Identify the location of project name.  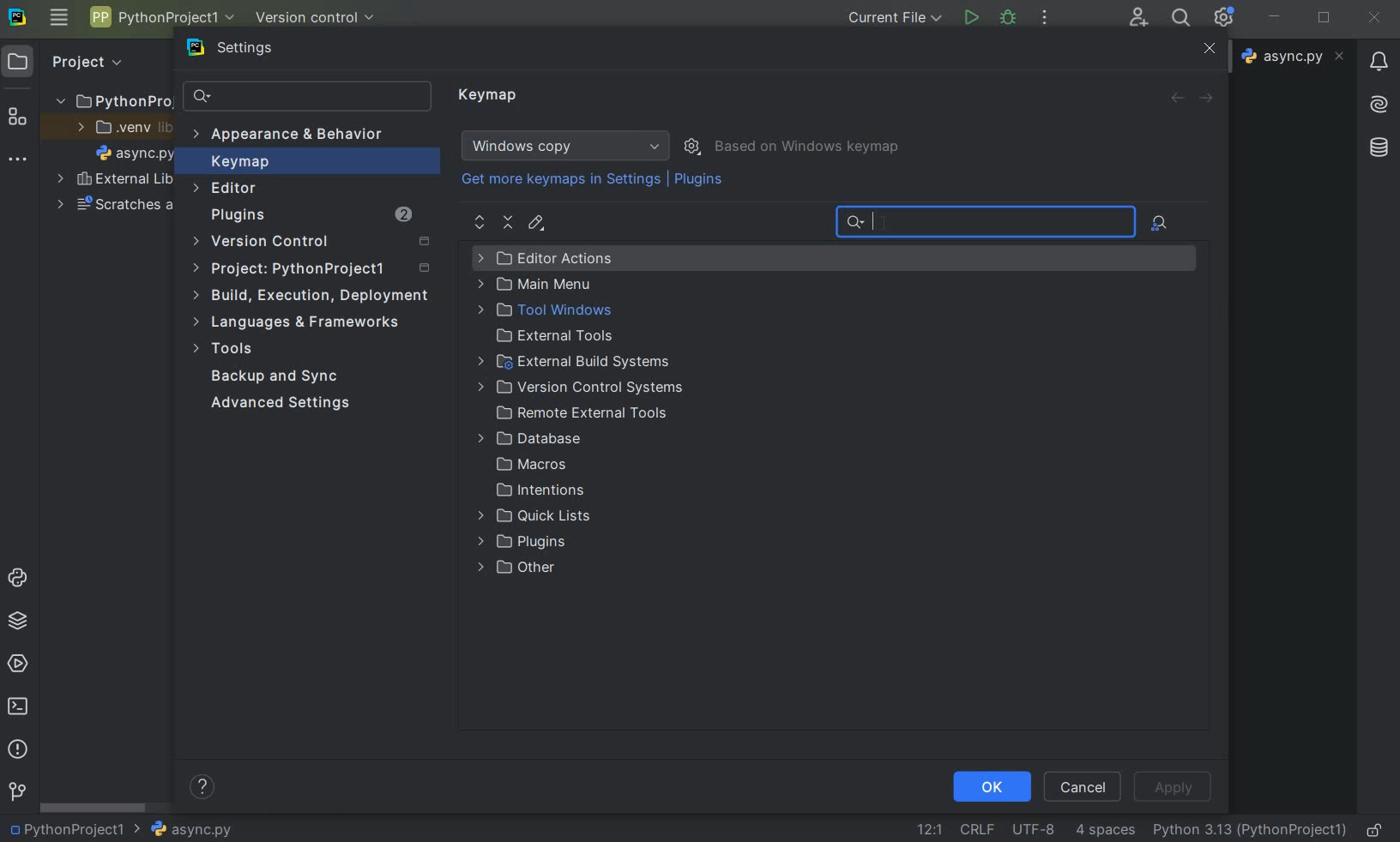
(160, 17).